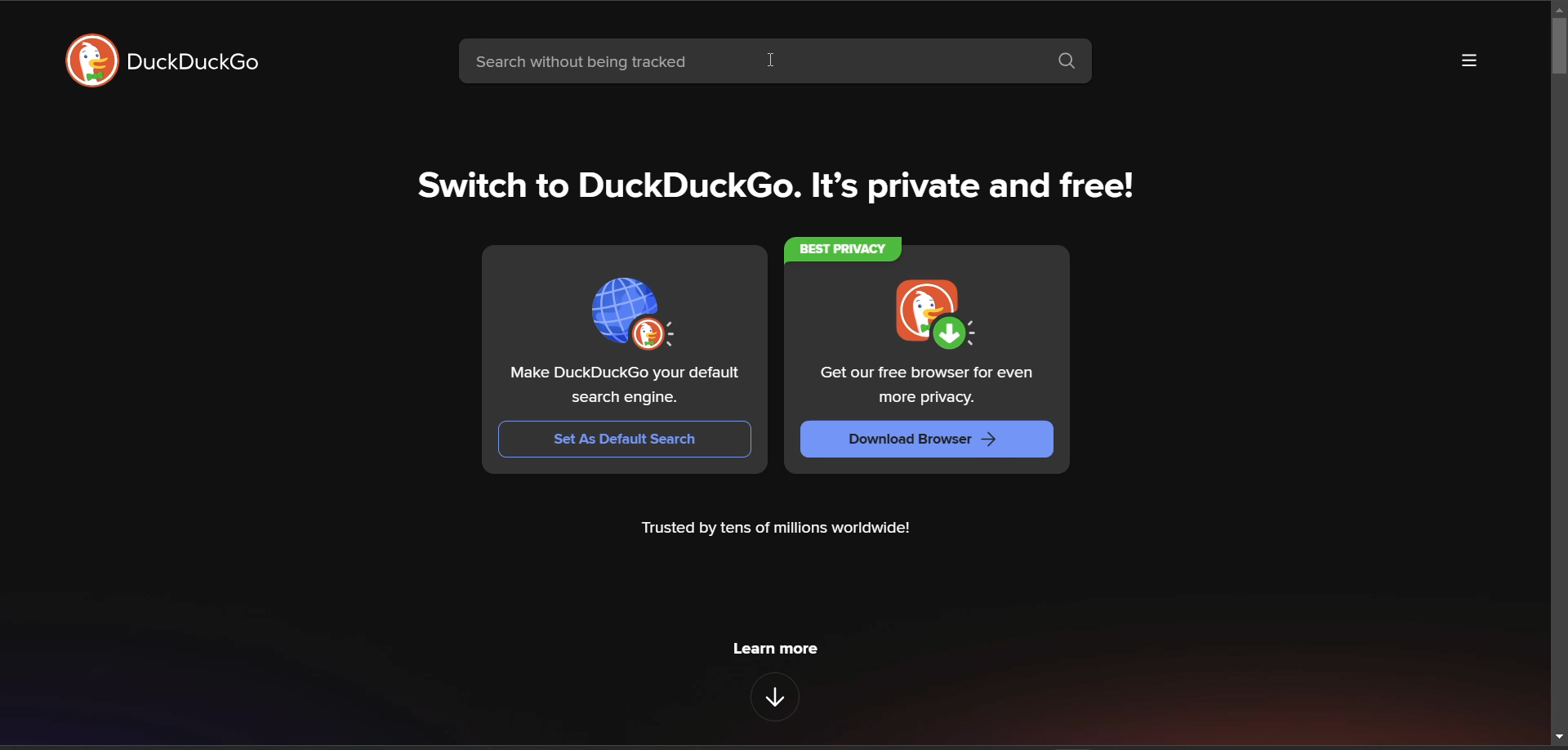 This screenshot has height=750, width=1568. What do you see at coordinates (779, 186) in the screenshot?
I see `Switch to DuckDuckGo. It’s private and free!` at bounding box center [779, 186].